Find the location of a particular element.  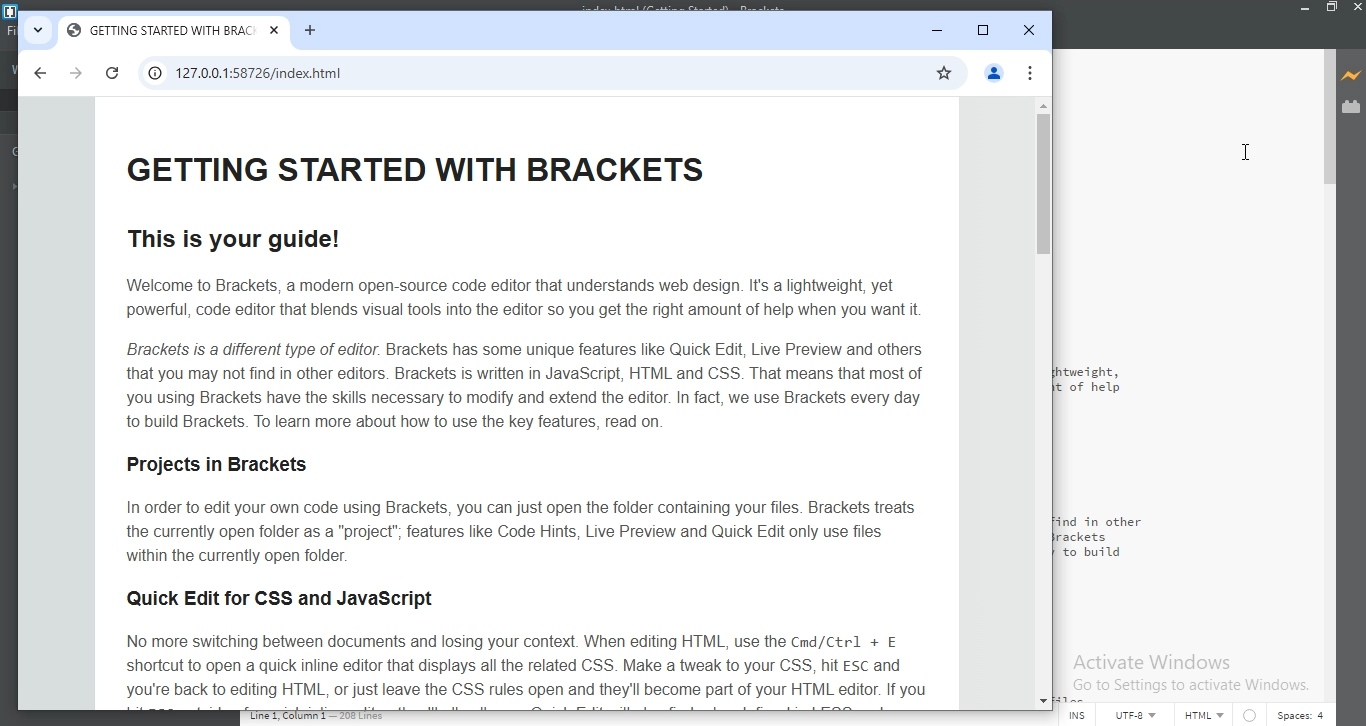

extension manager is located at coordinates (1352, 110).